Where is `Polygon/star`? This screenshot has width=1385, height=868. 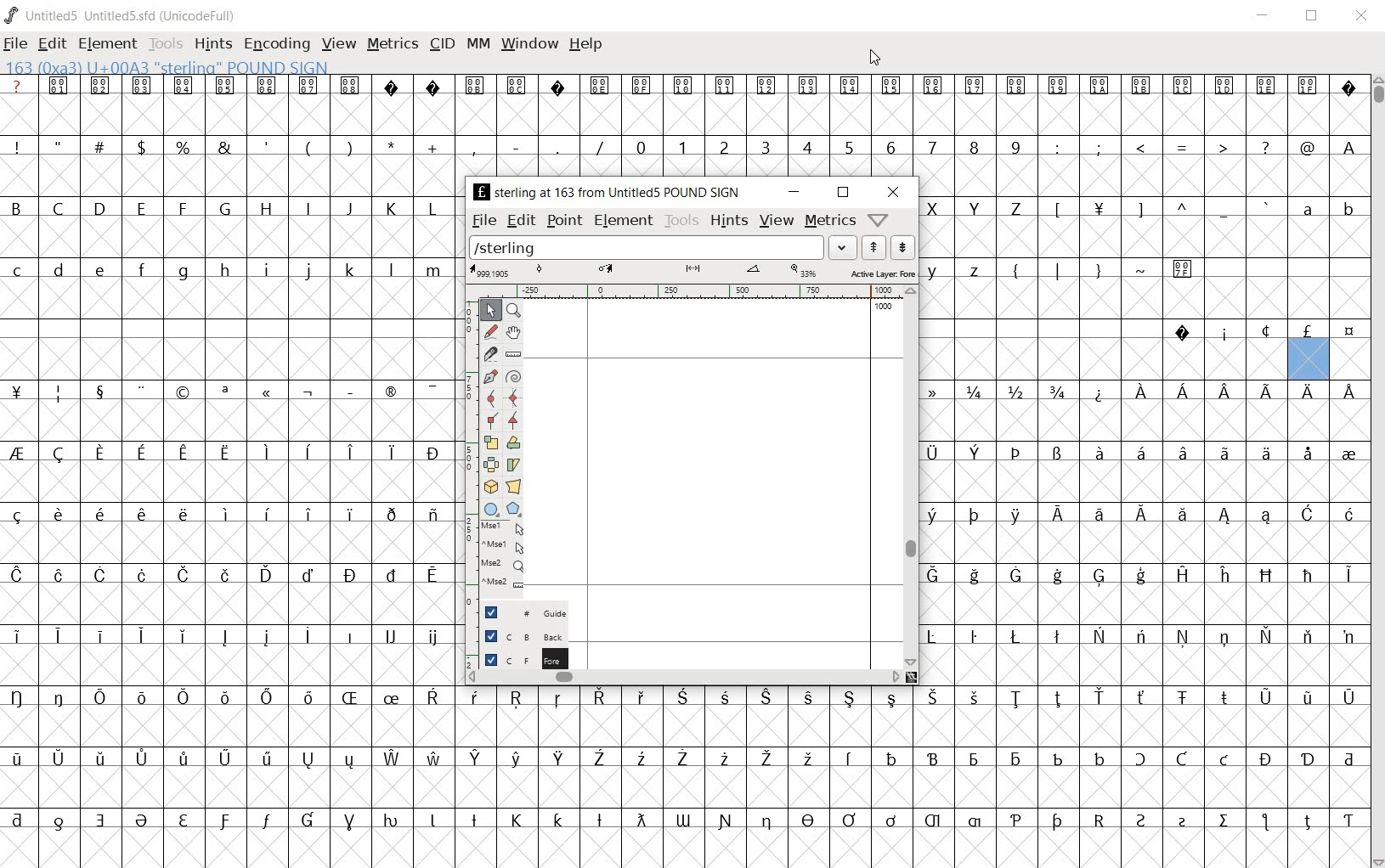
Polygon/star is located at coordinates (518, 509).